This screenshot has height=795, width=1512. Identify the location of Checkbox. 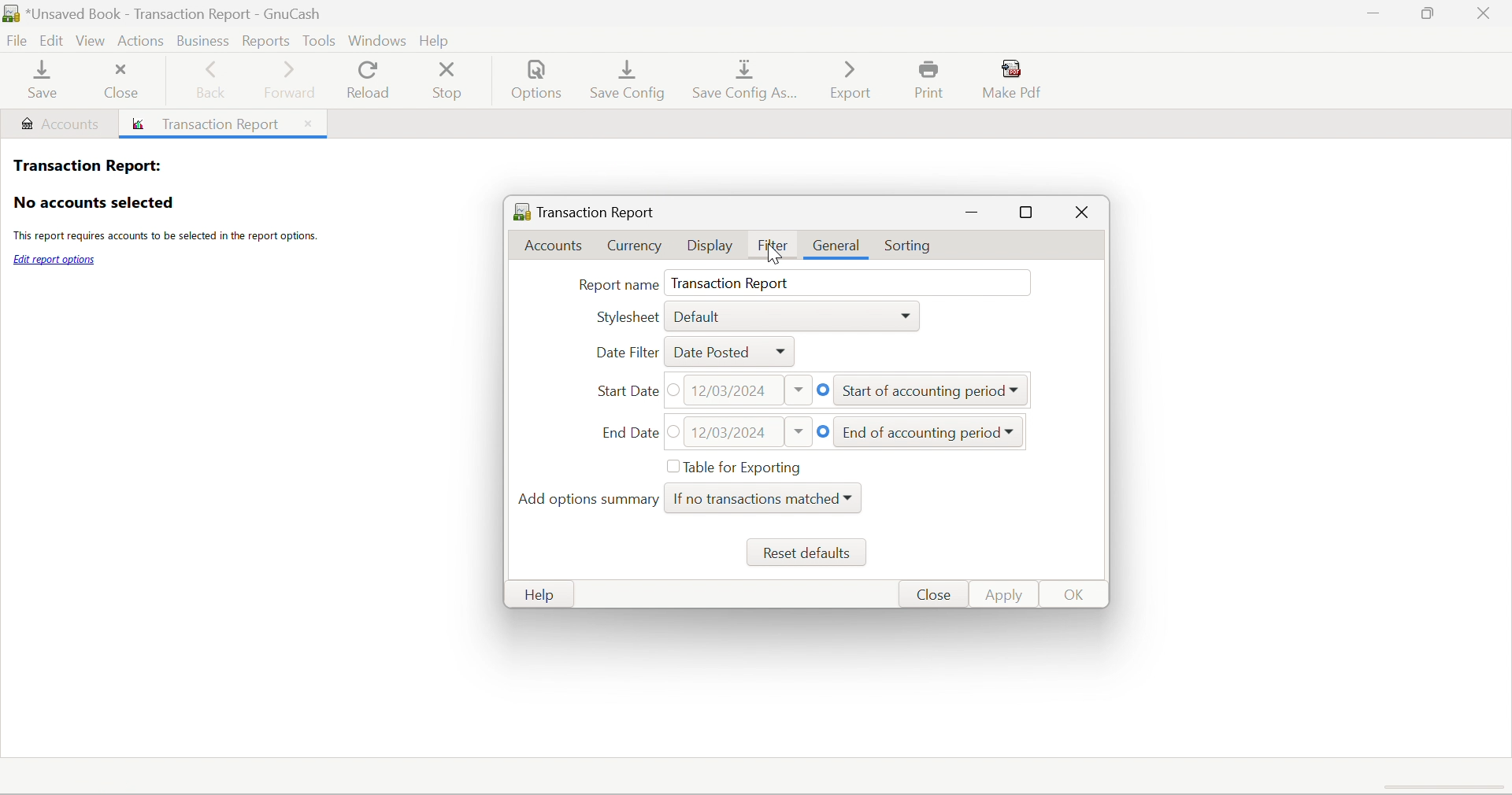
(826, 431).